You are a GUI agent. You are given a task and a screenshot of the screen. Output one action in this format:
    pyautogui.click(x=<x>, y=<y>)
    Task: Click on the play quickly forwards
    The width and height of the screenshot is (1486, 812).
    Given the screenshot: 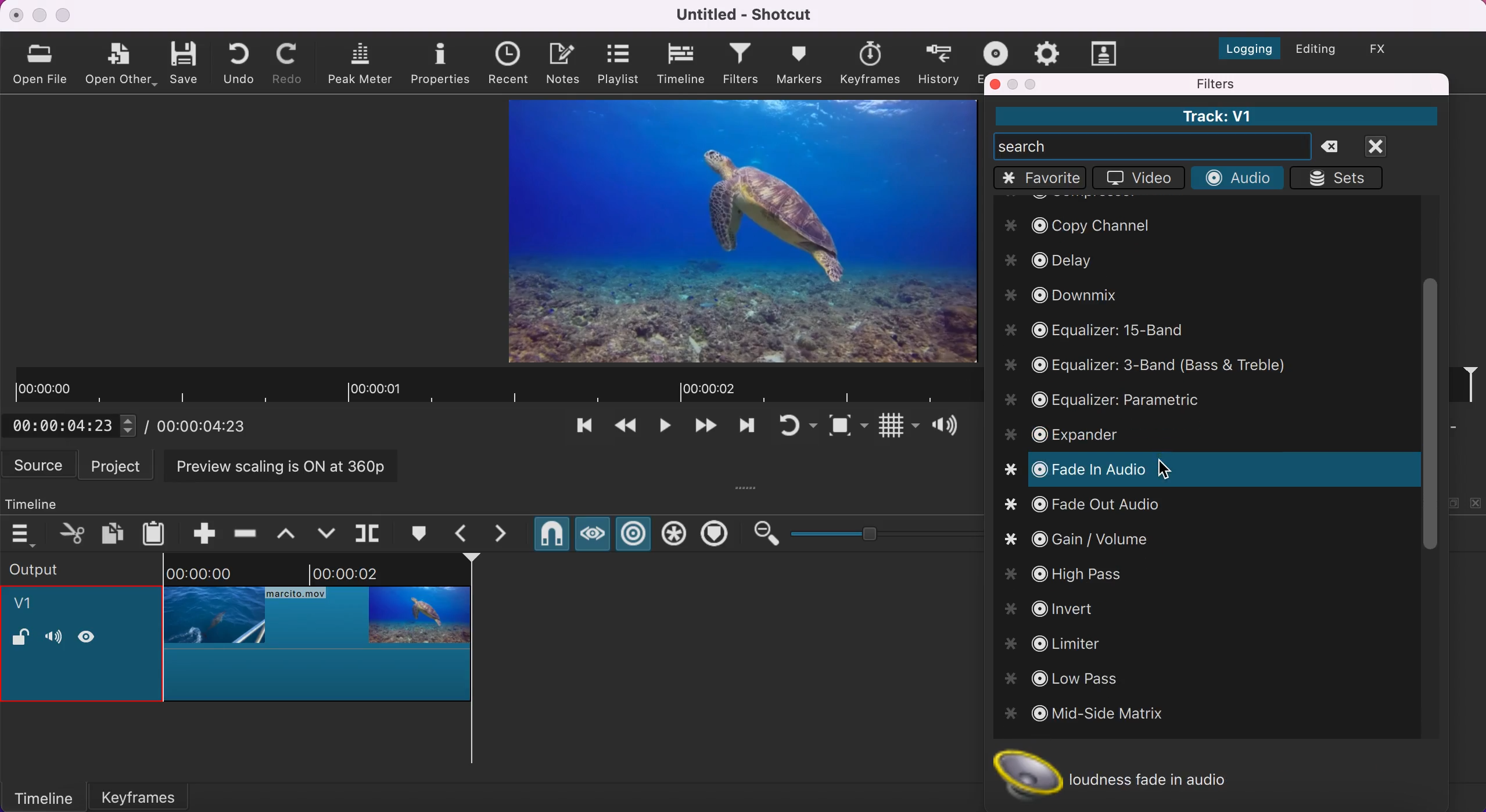 What is the action you would take?
    pyautogui.click(x=745, y=429)
    